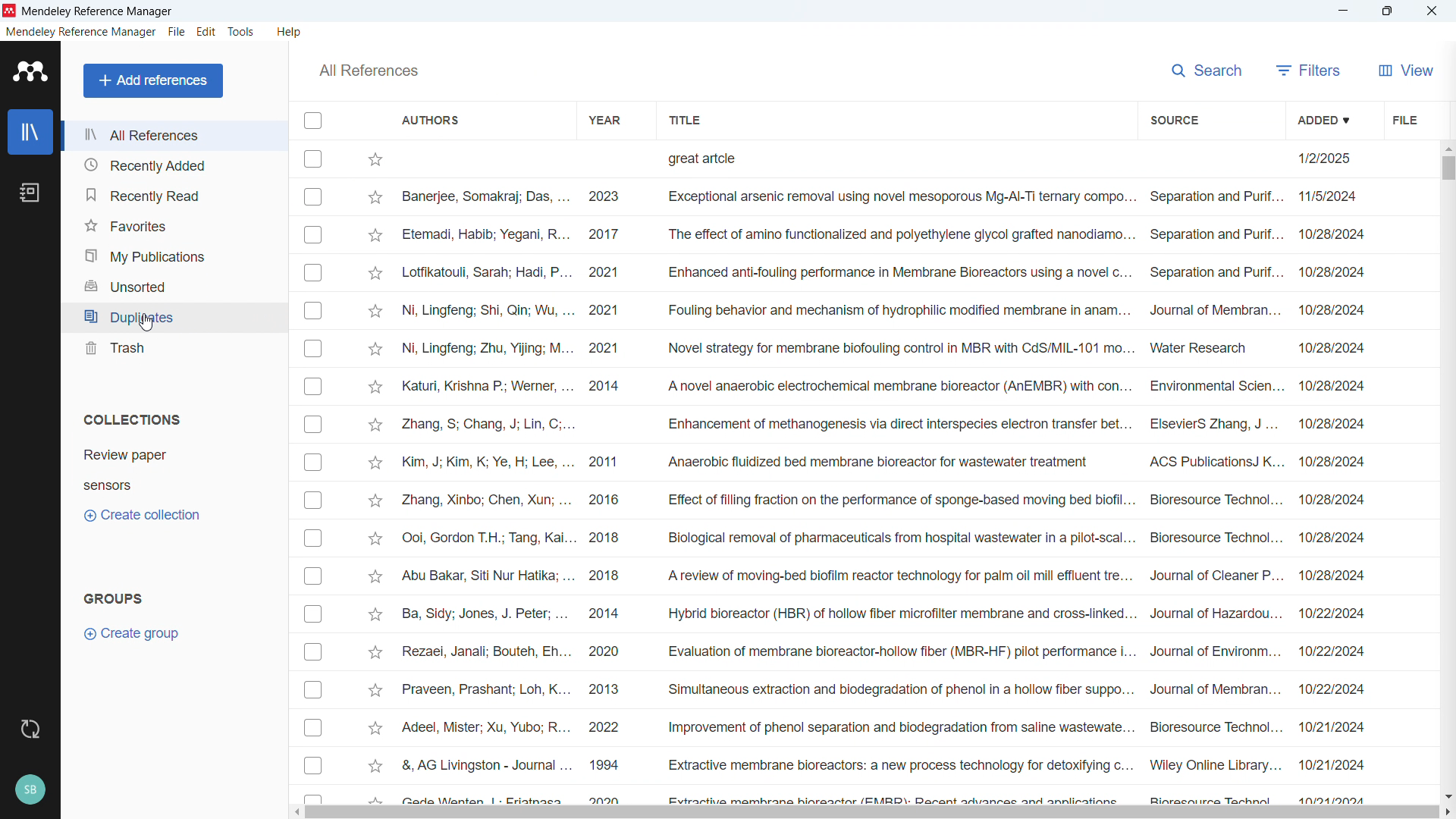  What do you see at coordinates (173, 224) in the screenshot?
I see `Favourites ` at bounding box center [173, 224].